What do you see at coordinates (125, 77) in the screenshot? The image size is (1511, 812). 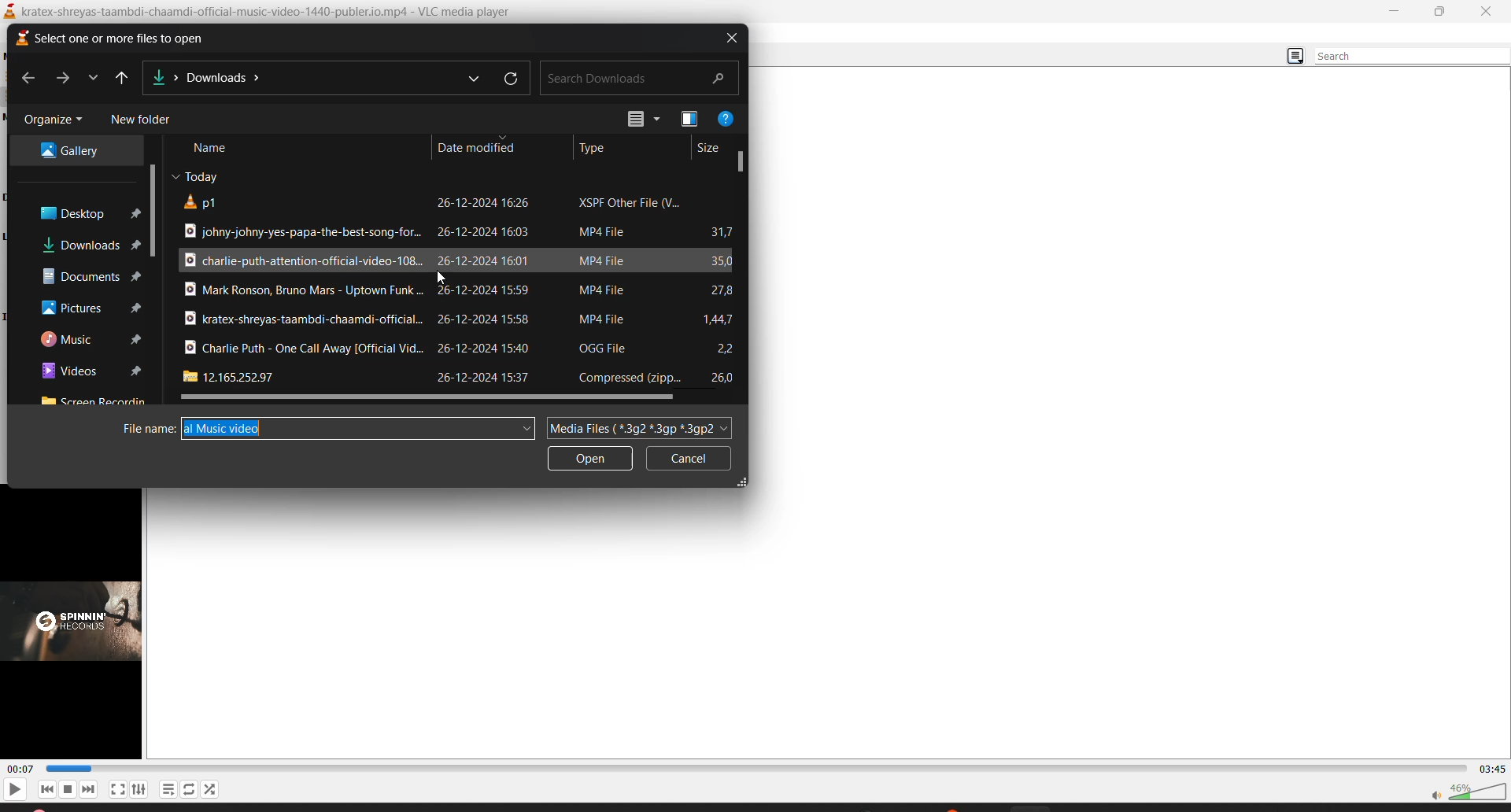 I see `up to desktop` at bounding box center [125, 77].